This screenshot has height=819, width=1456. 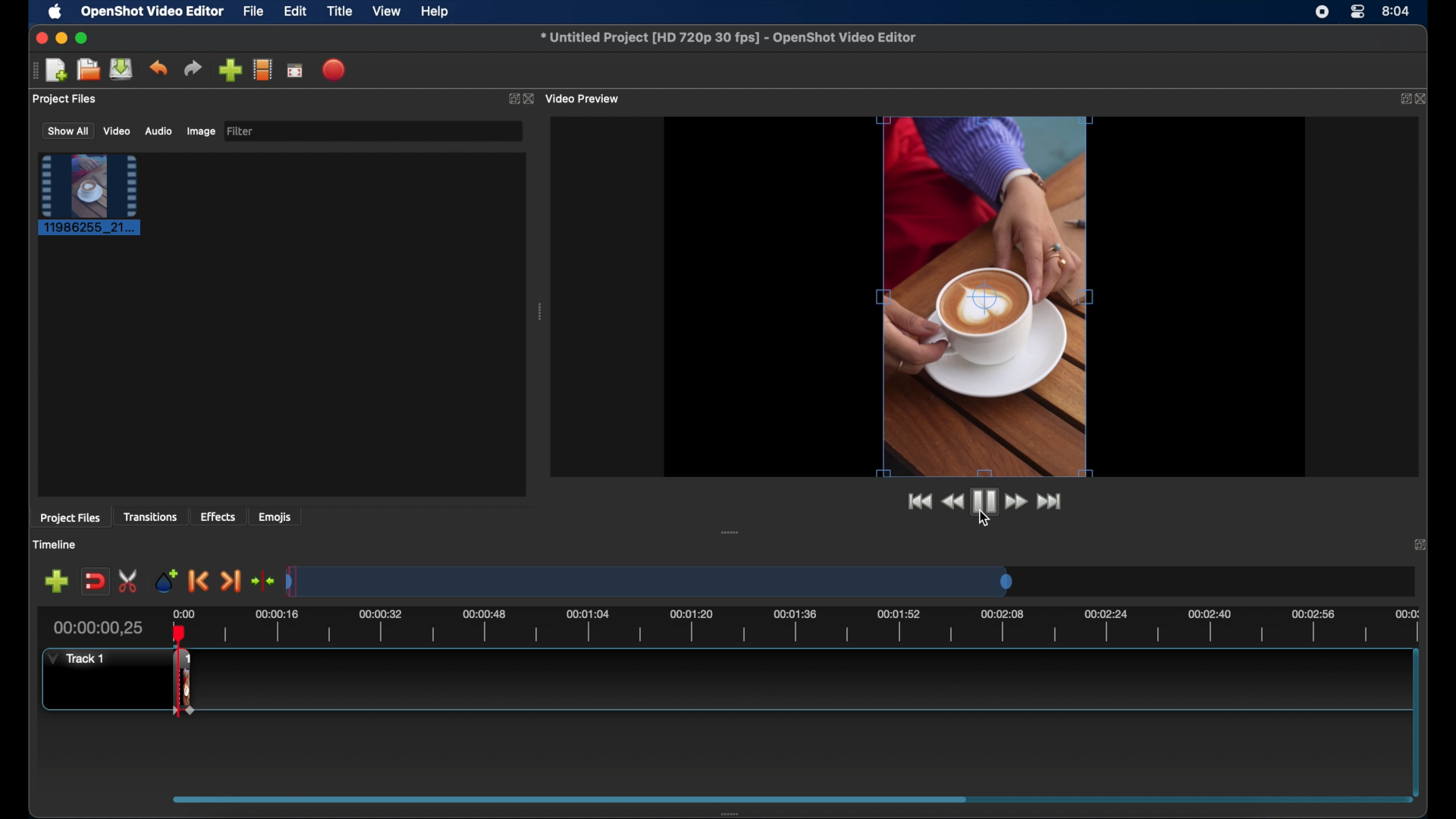 I want to click on next marker, so click(x=231, y=581).